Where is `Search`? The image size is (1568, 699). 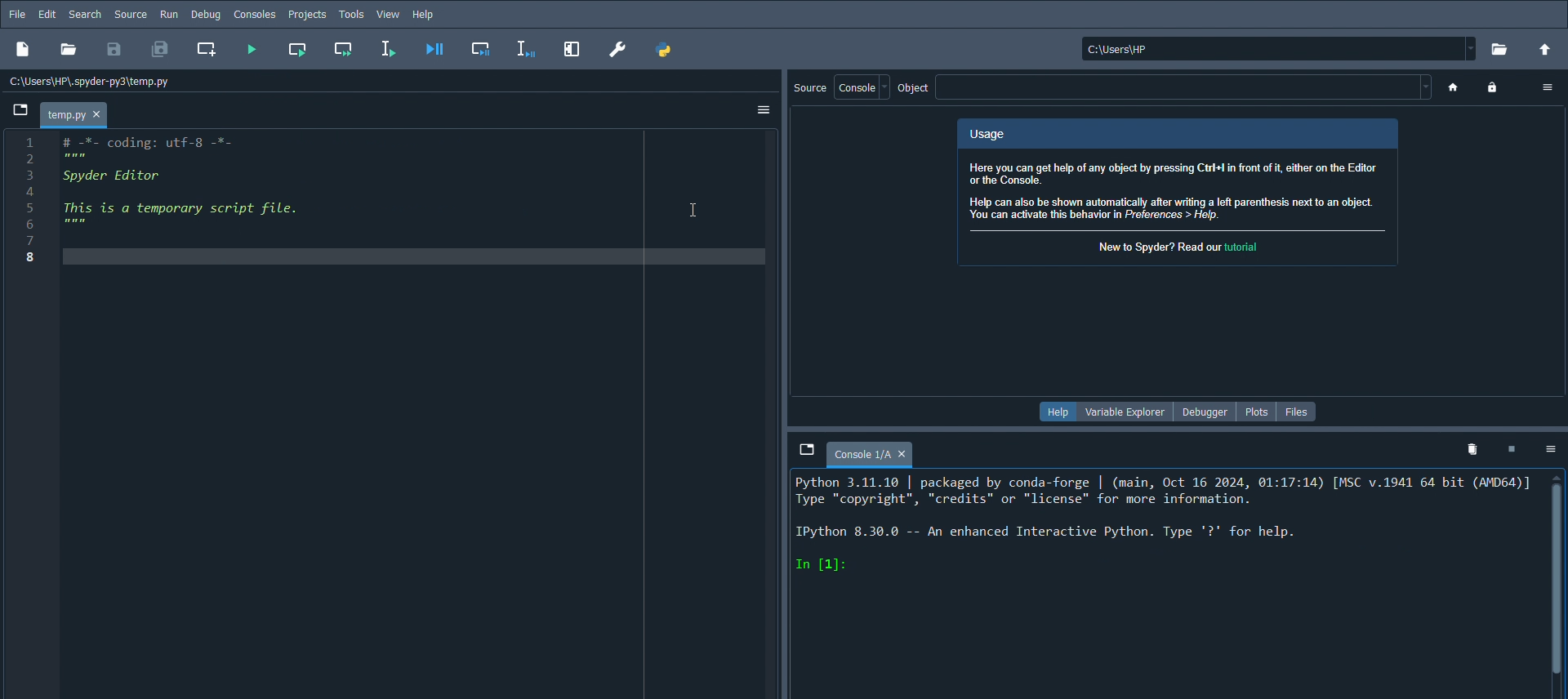 Search is located at coordinates (84, 14).